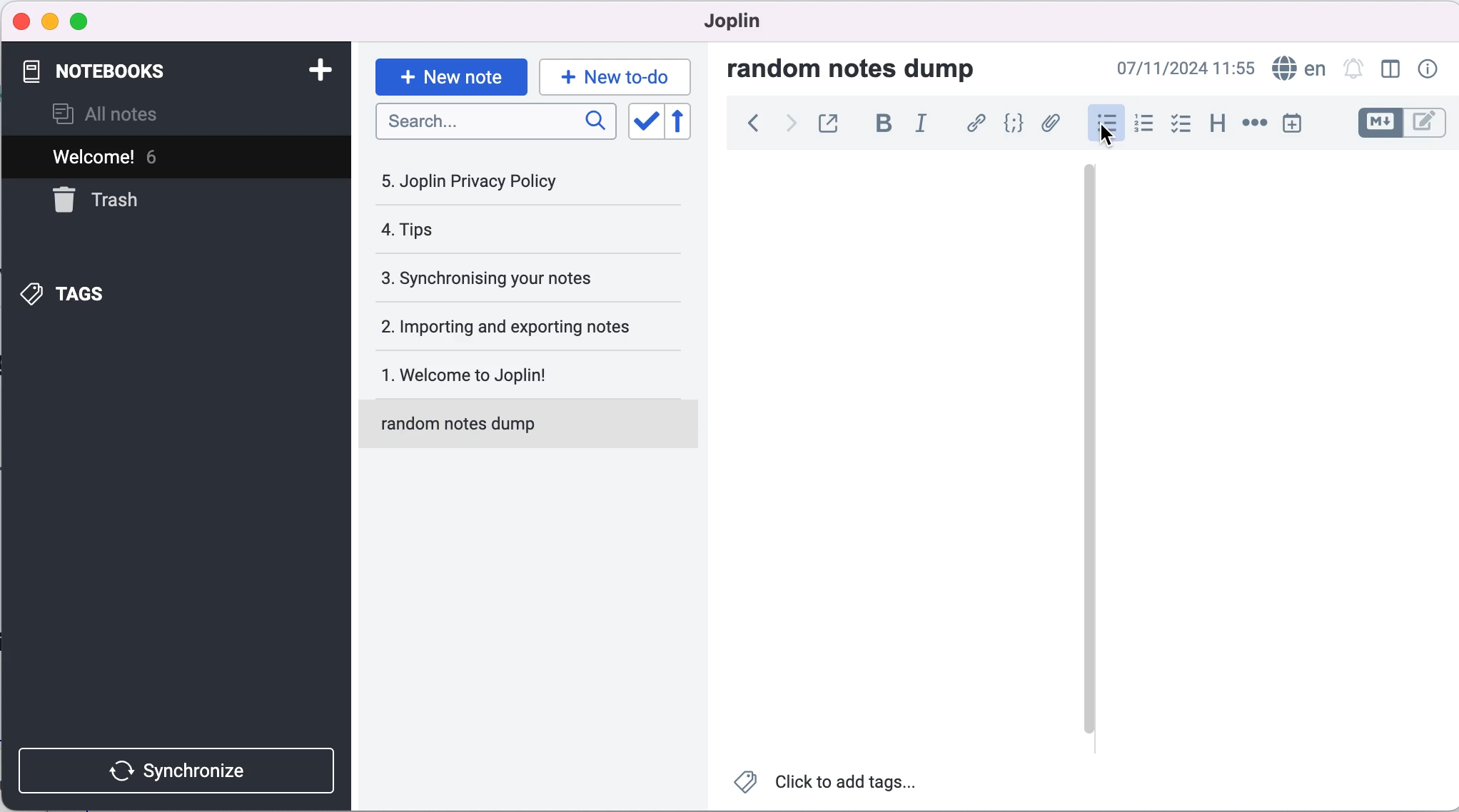  What do you see at coordinates (973, 124) in the screenshot?
I see `hyperlink` at bounding box center [973, 124].